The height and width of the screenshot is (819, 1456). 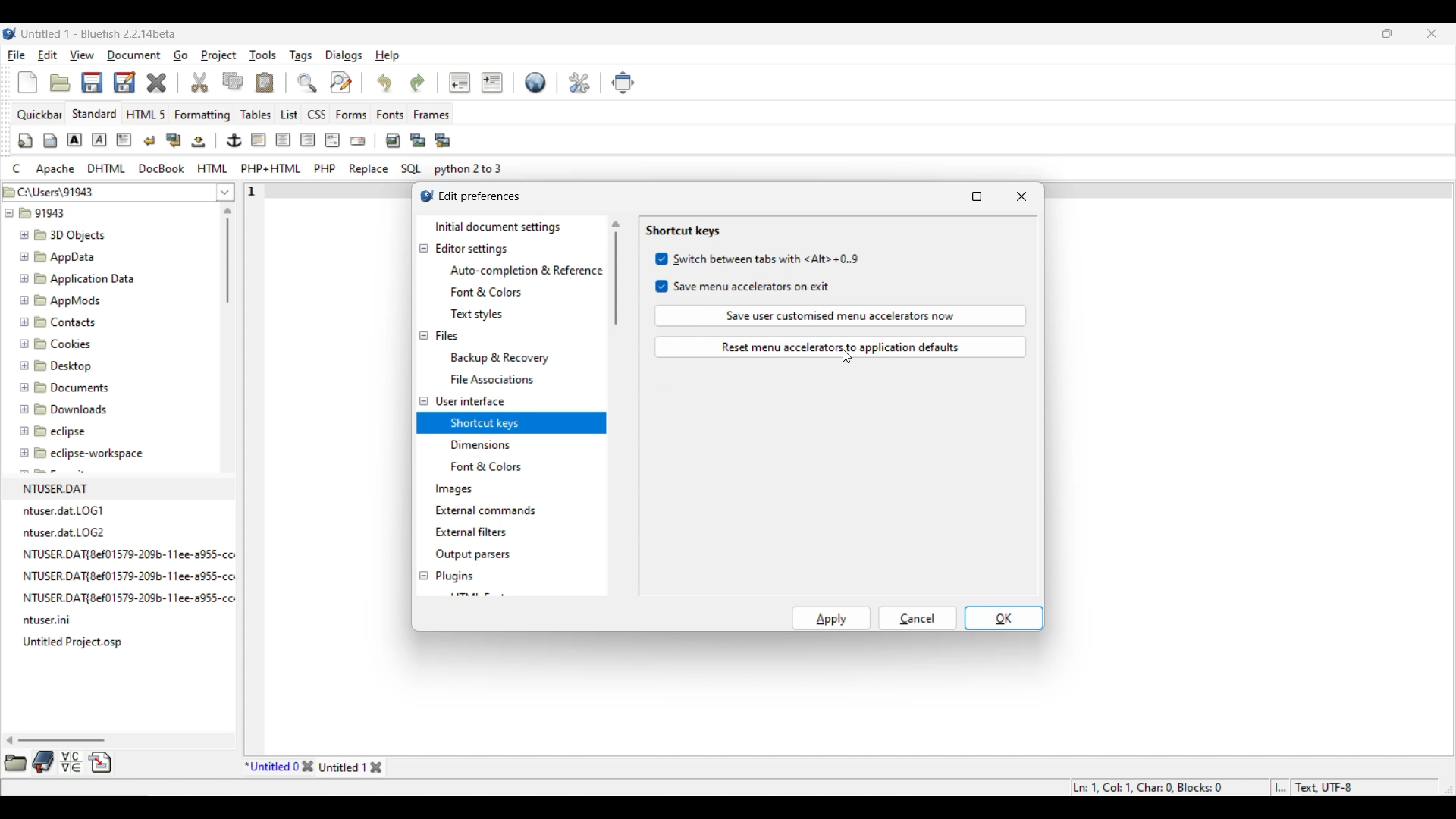 What do you see at coordinates (202, 115) in the screenshot?
I see `Formatting` at bounding box center [202, 115].